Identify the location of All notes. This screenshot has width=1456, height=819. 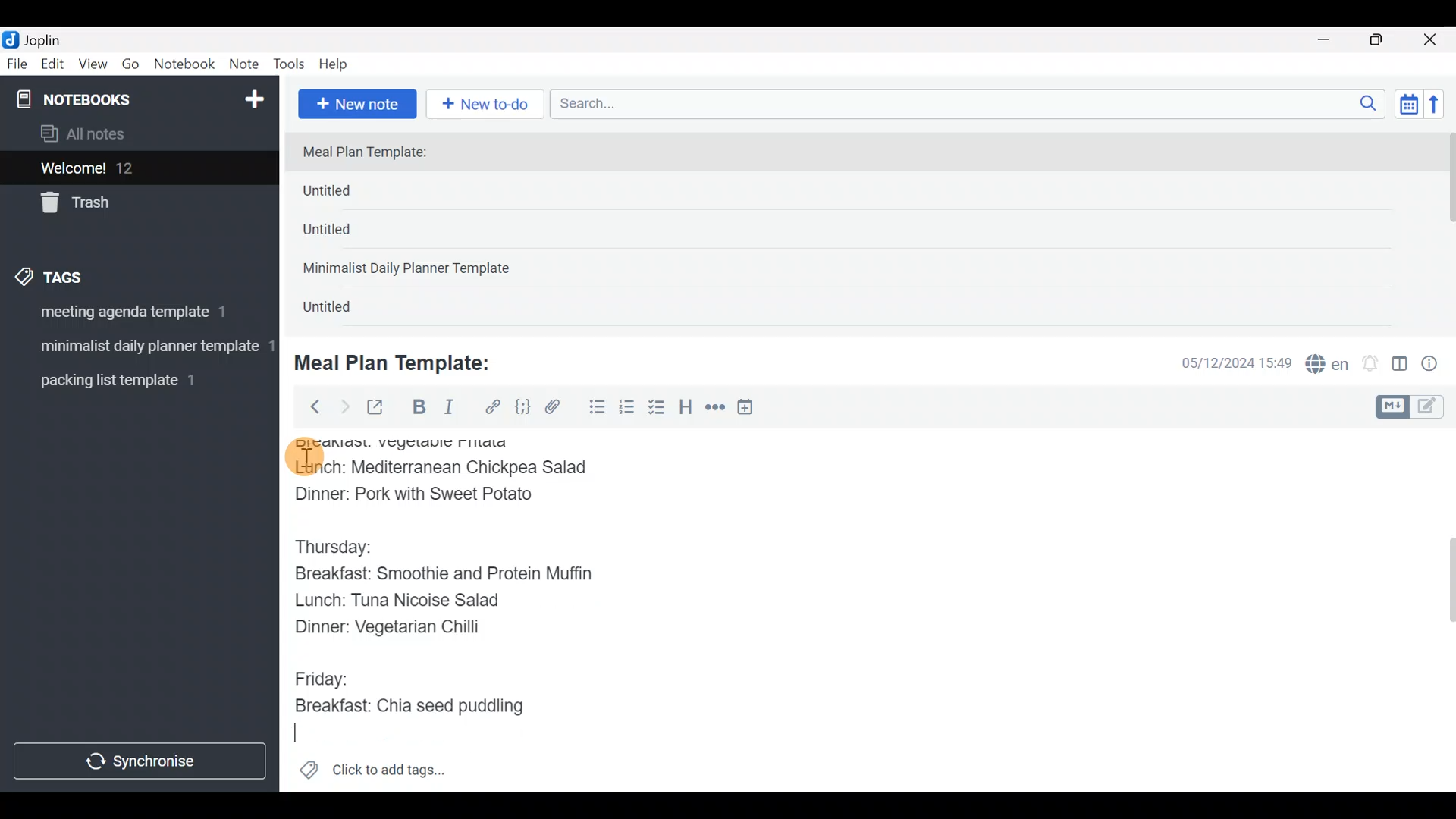
(136, 135).